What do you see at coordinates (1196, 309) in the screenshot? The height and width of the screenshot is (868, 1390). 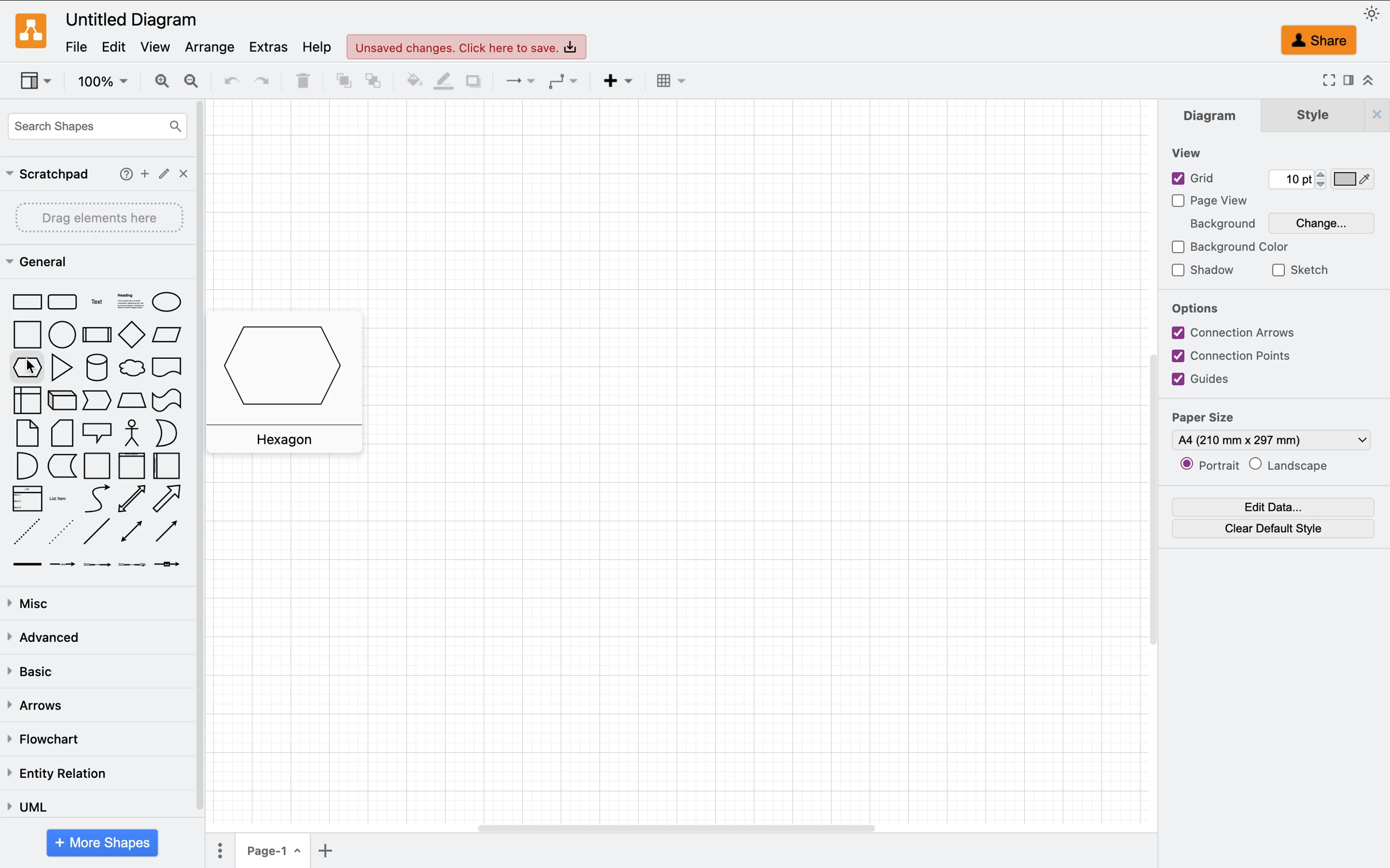 I see `options` at bounding box center [1196, 309].